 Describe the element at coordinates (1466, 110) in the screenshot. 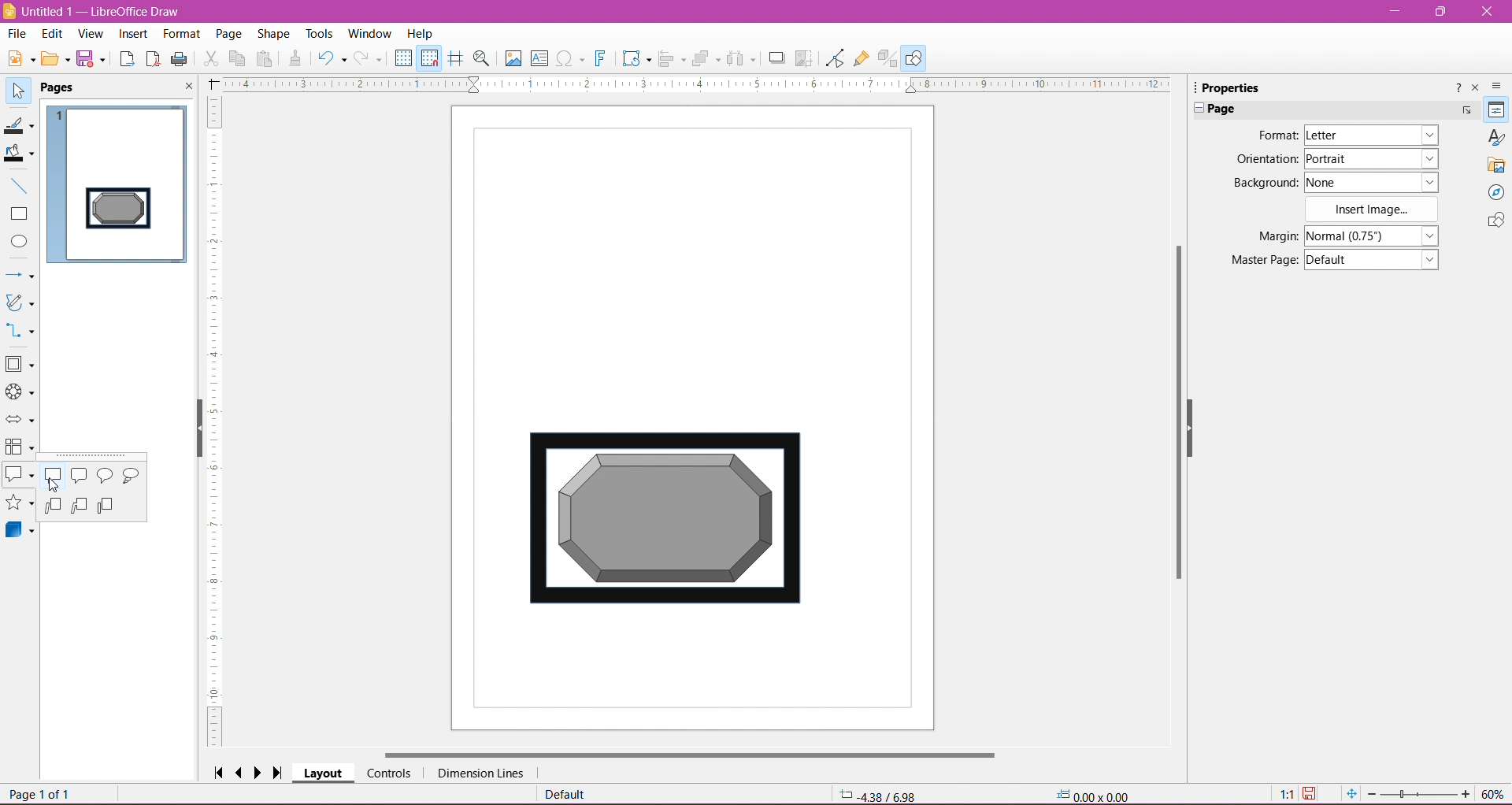

I see `More Options` at that location.